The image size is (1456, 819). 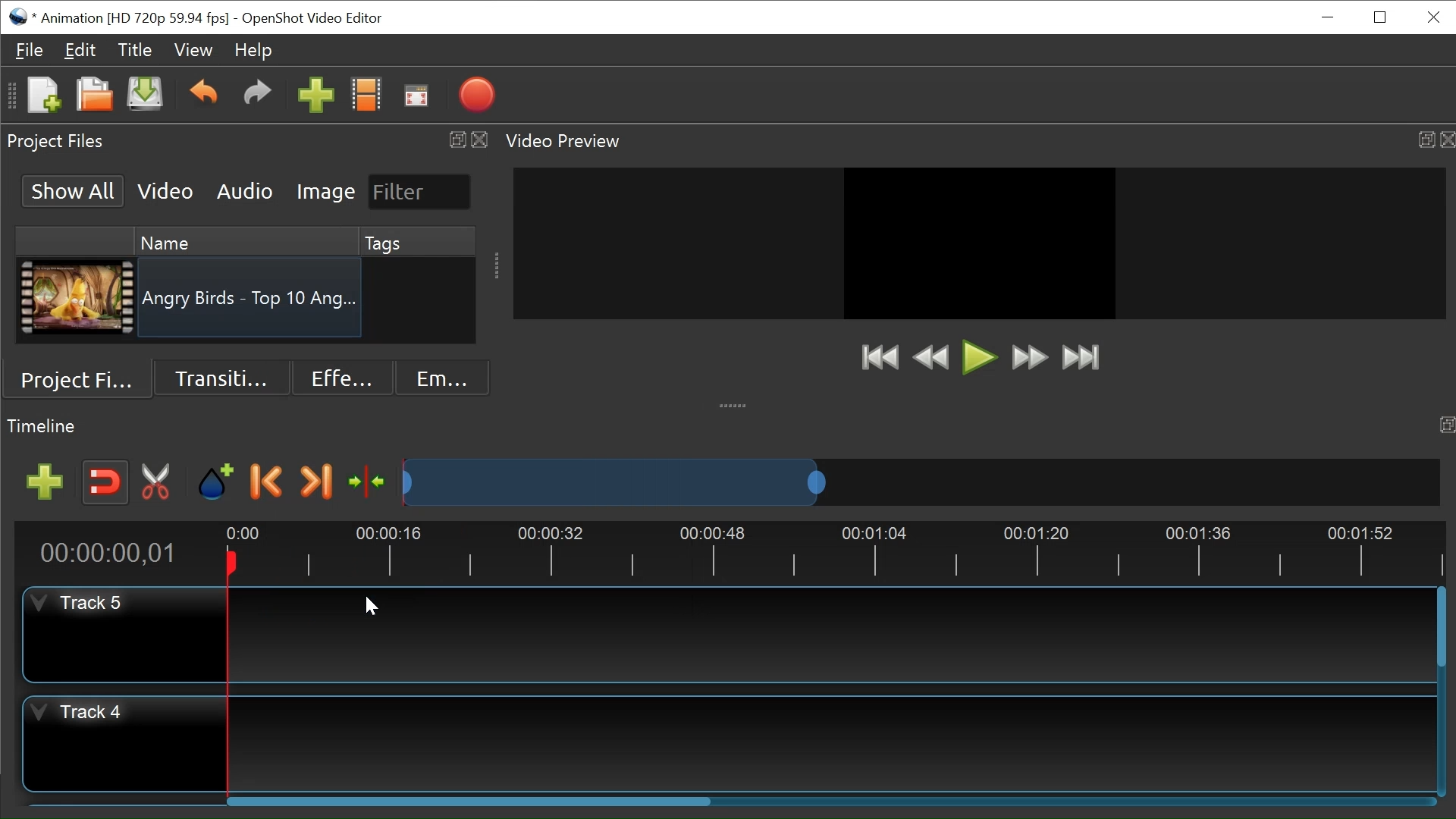 I want to click on Drag handle, so click(x=497, y=265).